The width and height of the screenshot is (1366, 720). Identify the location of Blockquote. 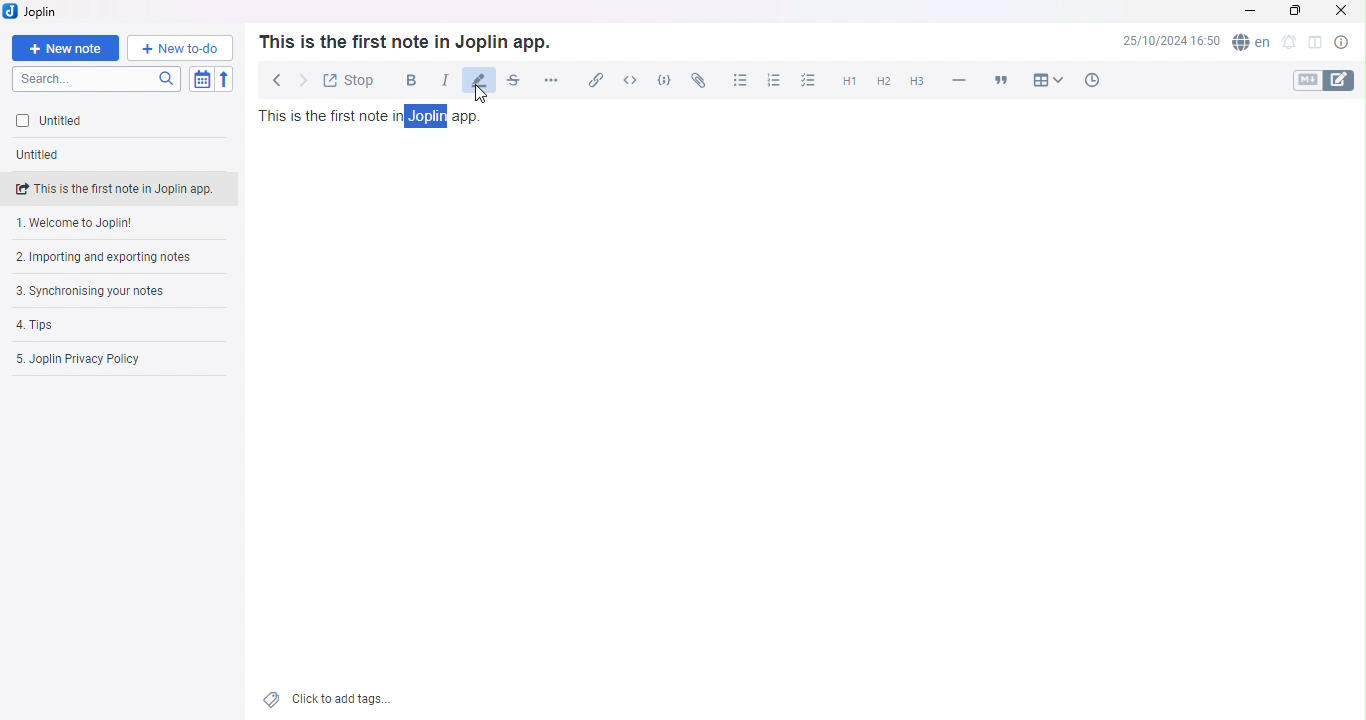
(1004, 78).